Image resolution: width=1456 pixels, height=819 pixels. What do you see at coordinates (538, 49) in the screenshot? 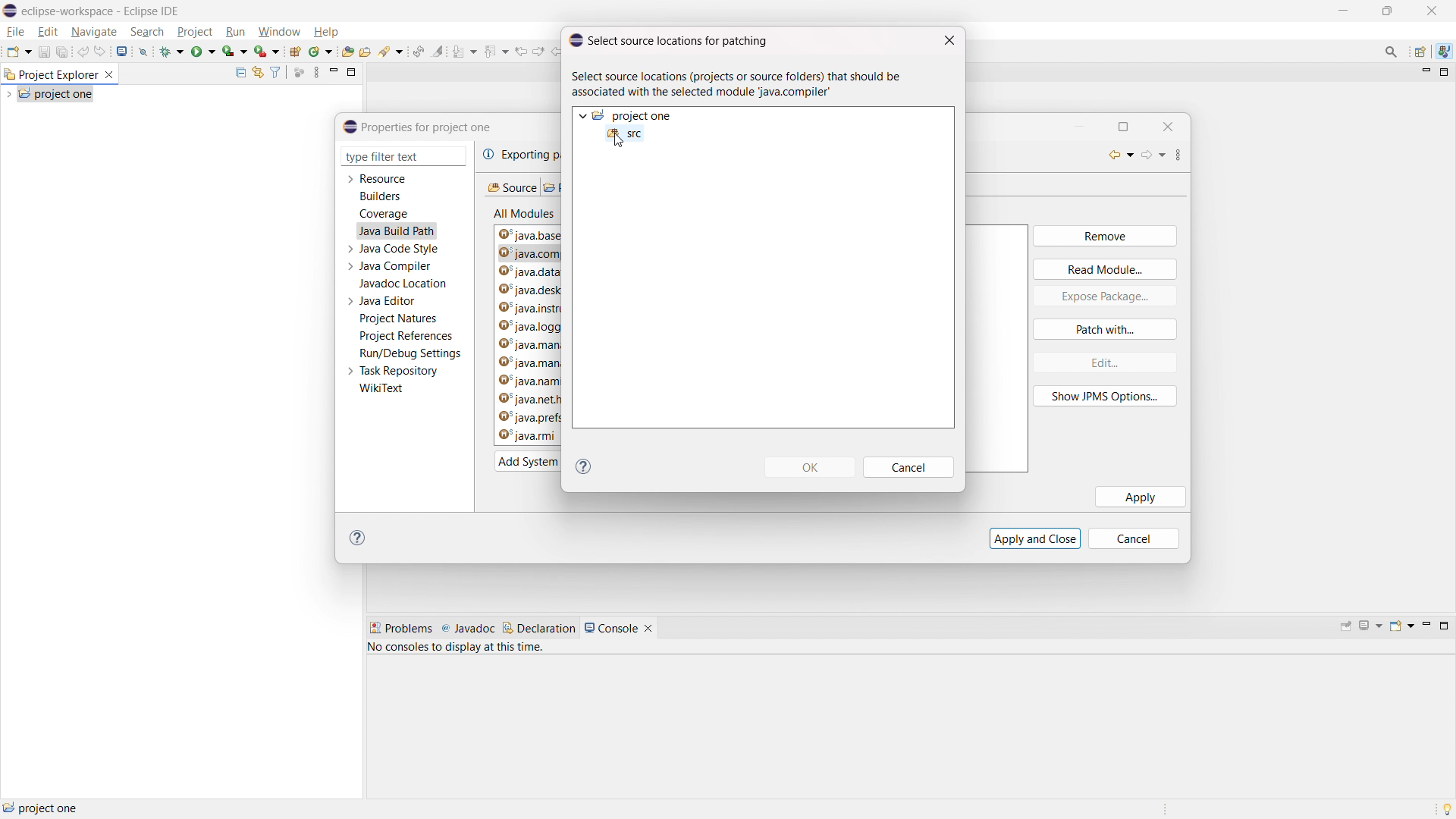
I see `view next location` at bounding box center [538, 49].